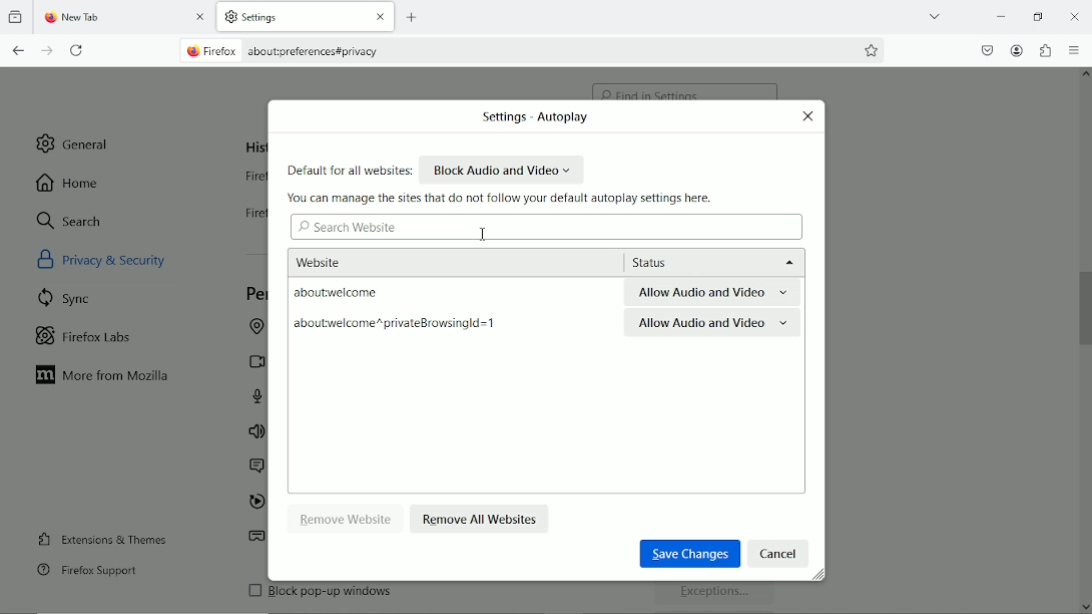  What do you see at coordinates (934, 15) in the screenshot?
I see `List all tabs` at bounding box center [934, 15].